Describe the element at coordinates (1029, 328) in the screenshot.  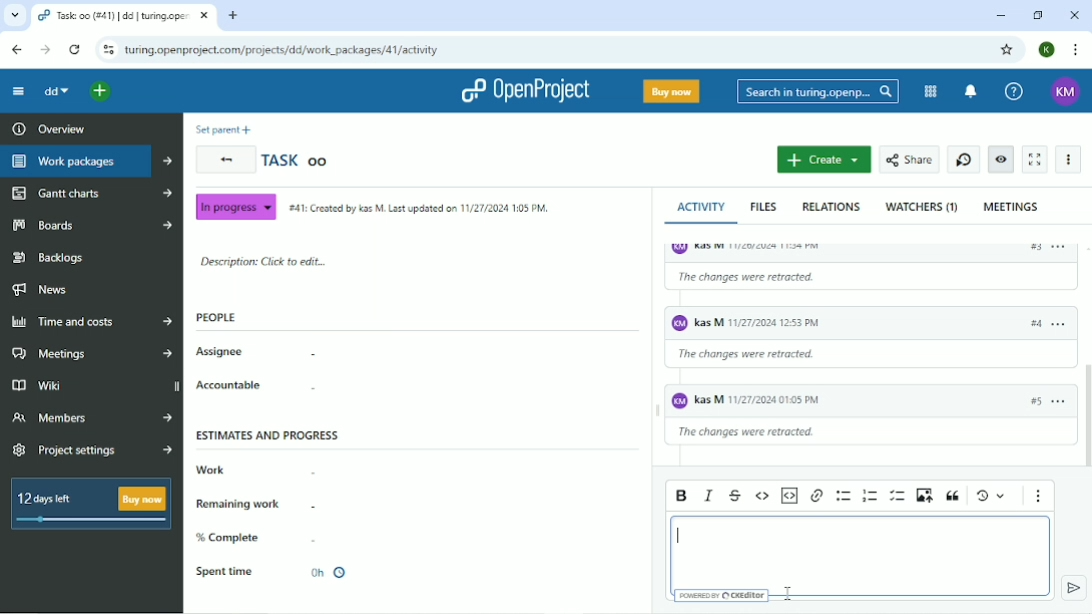
I see `#3` at that location.